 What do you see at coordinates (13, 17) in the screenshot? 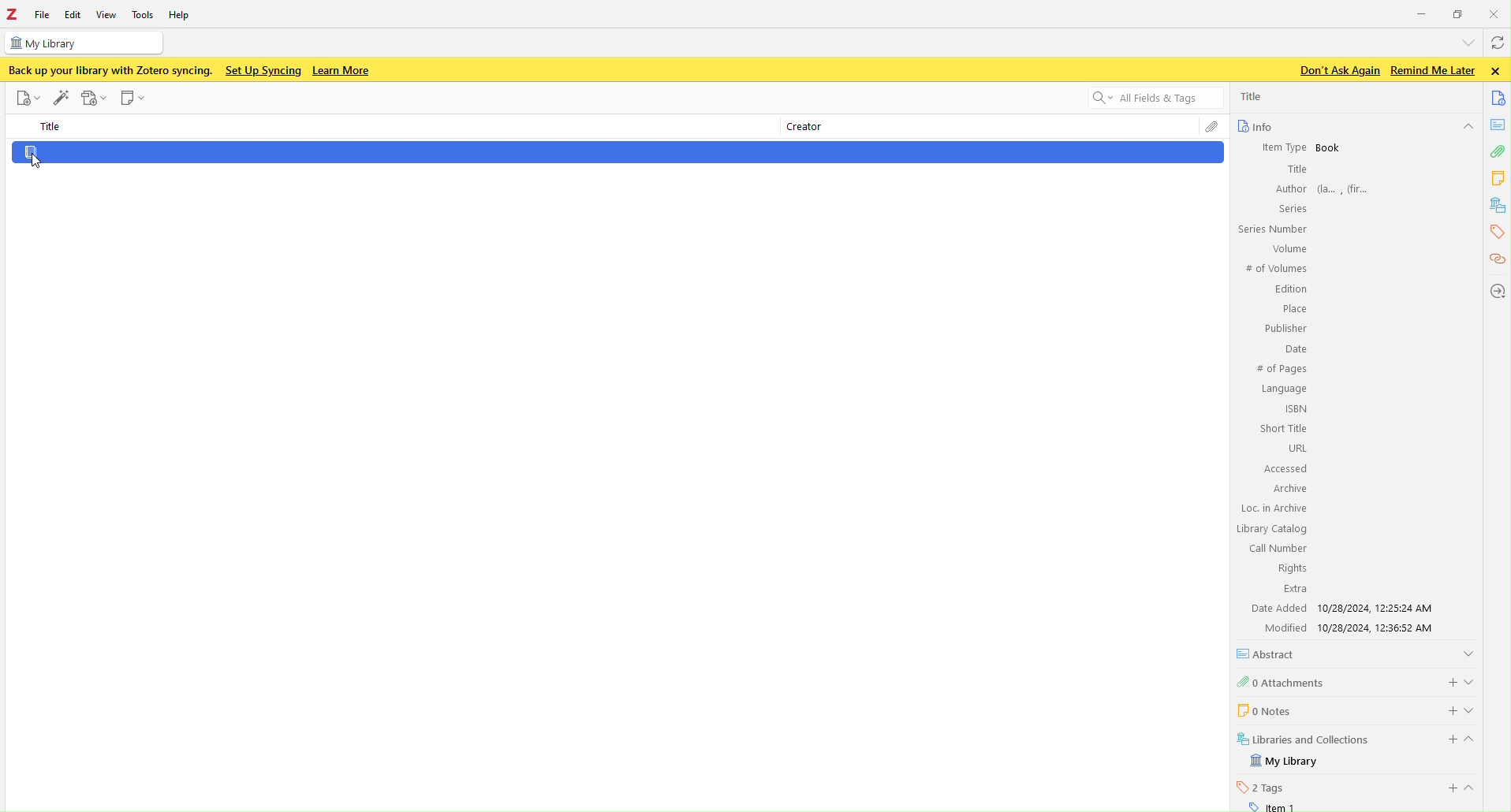
I see `z` at bounding box center [13, 17].